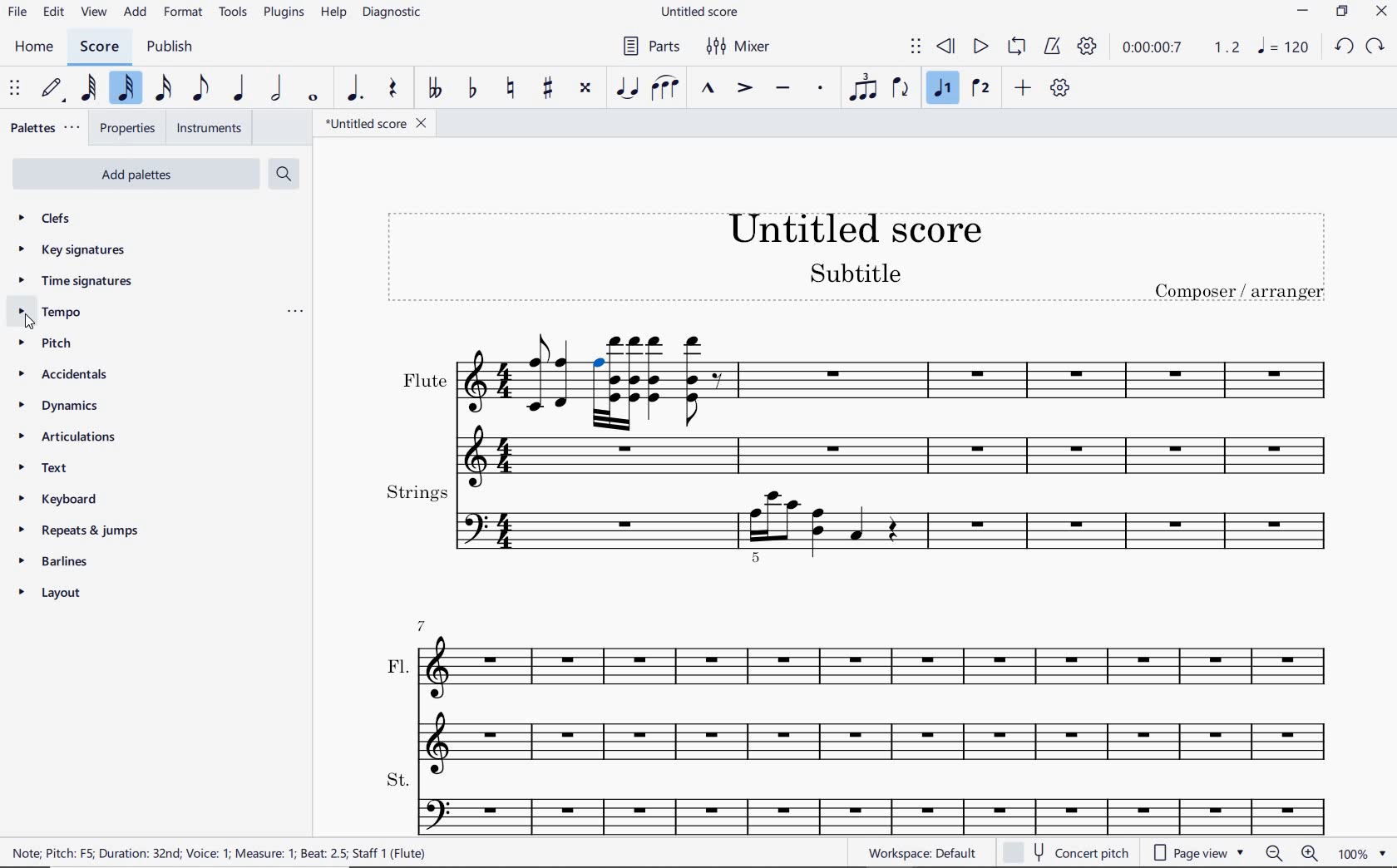  Describe the element at coordinates (1196, 851) in the screenshot. I see `page view` at that location.